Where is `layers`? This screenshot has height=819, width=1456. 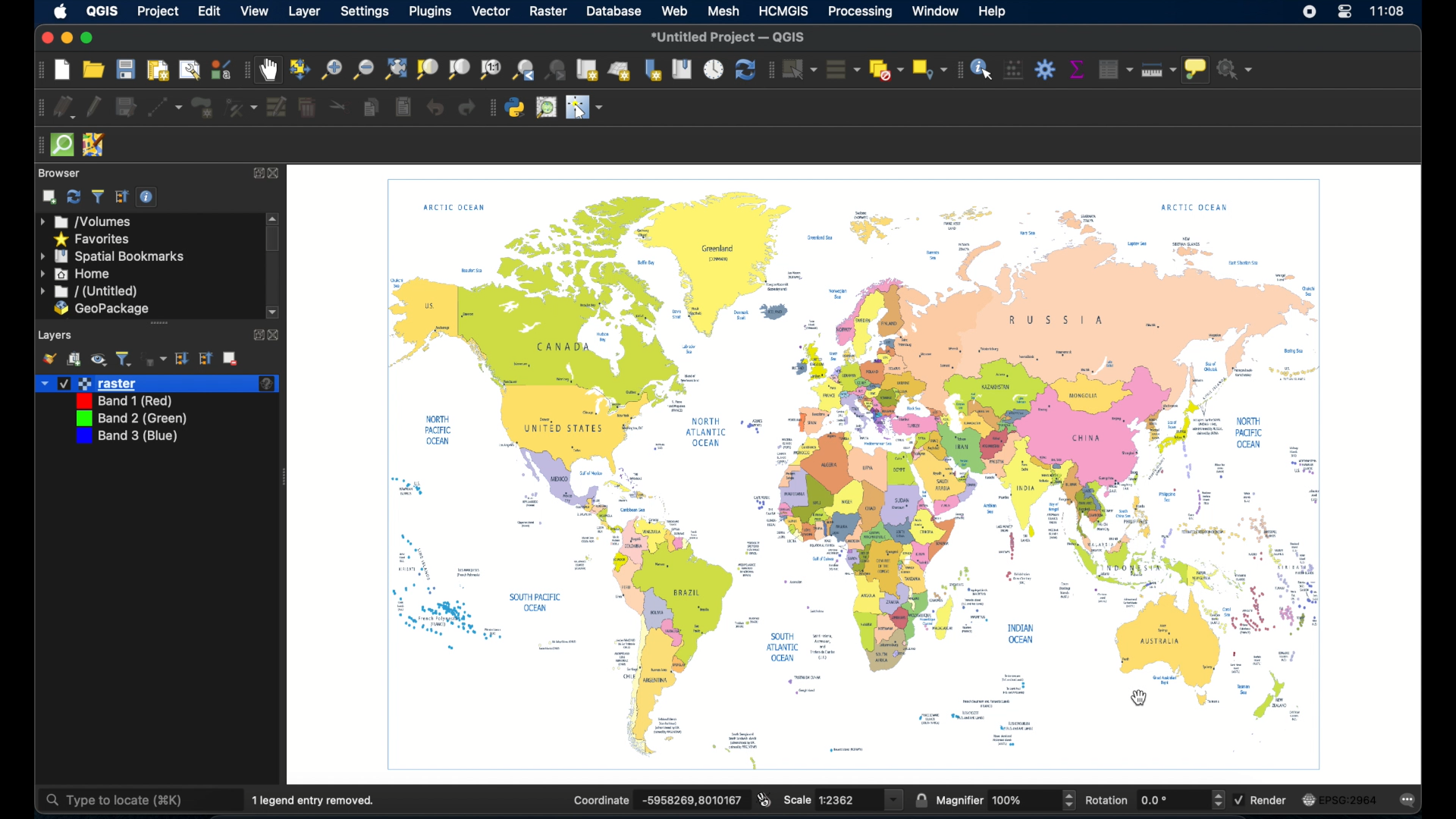 layers is located at coordinates (56, 334).